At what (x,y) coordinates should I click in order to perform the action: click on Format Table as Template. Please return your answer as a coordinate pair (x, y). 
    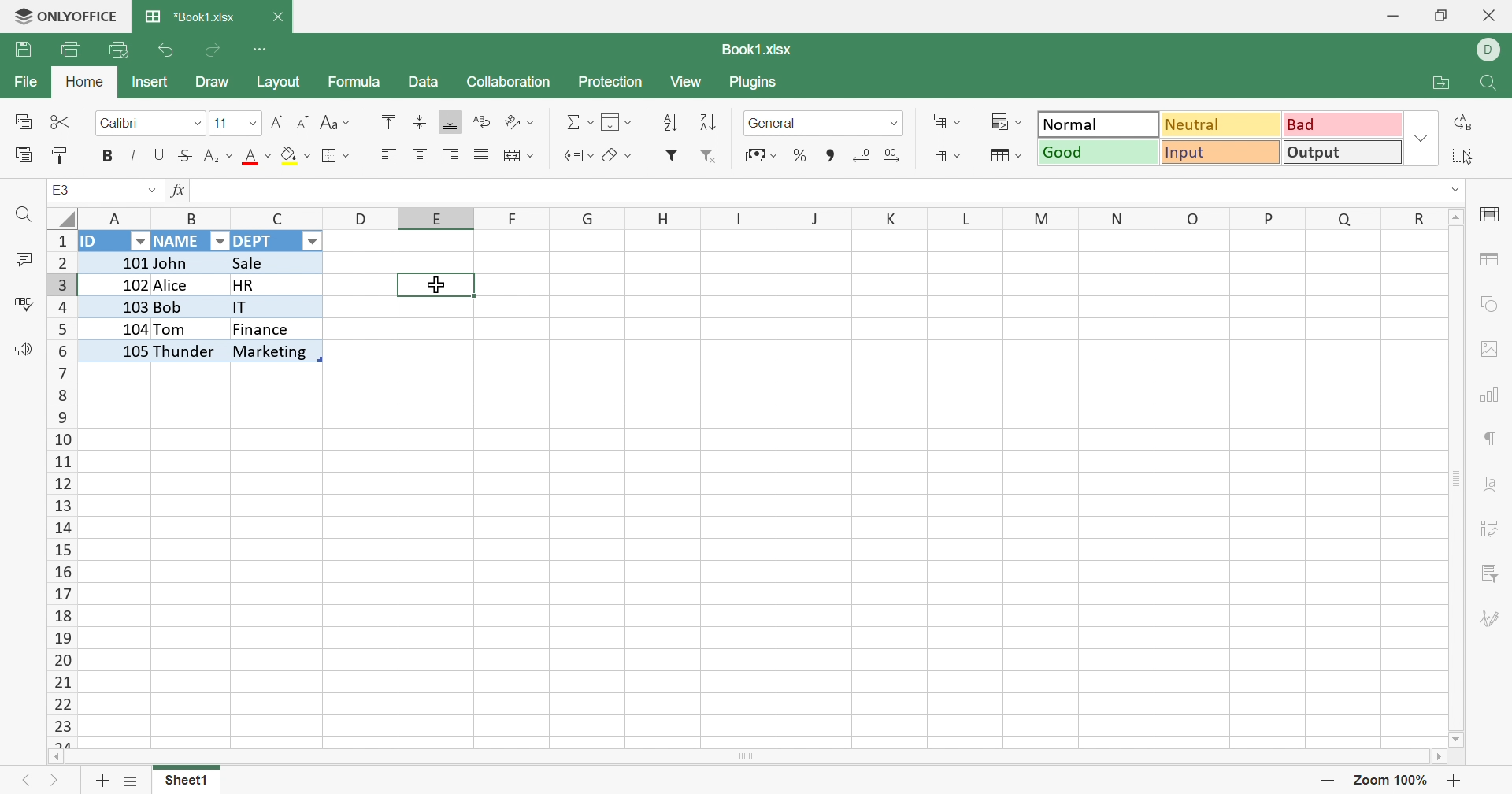
    Looking at the image, I should click on (1003, 155).